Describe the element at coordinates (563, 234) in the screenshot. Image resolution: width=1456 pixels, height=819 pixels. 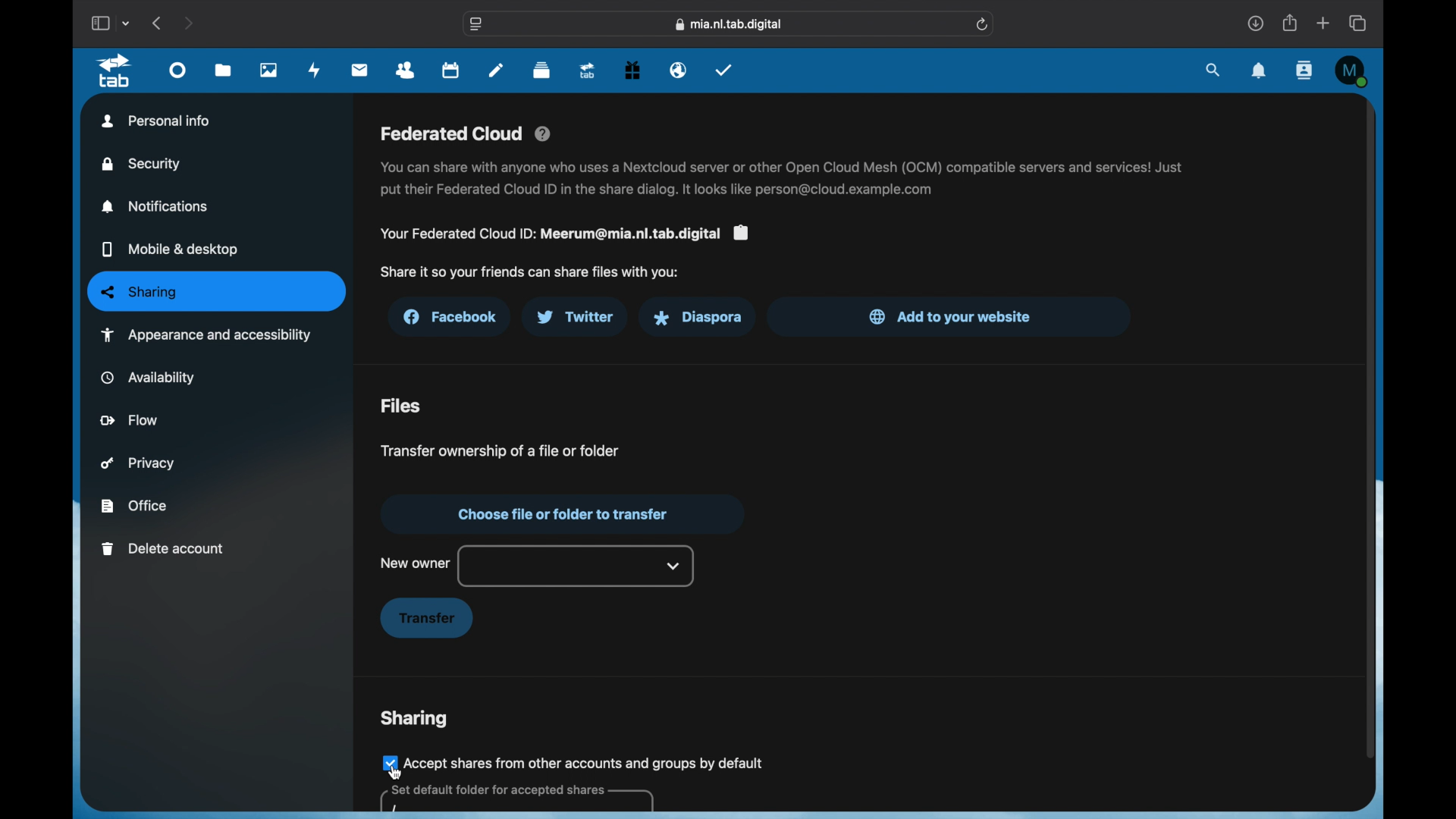
I see `info` at that location.